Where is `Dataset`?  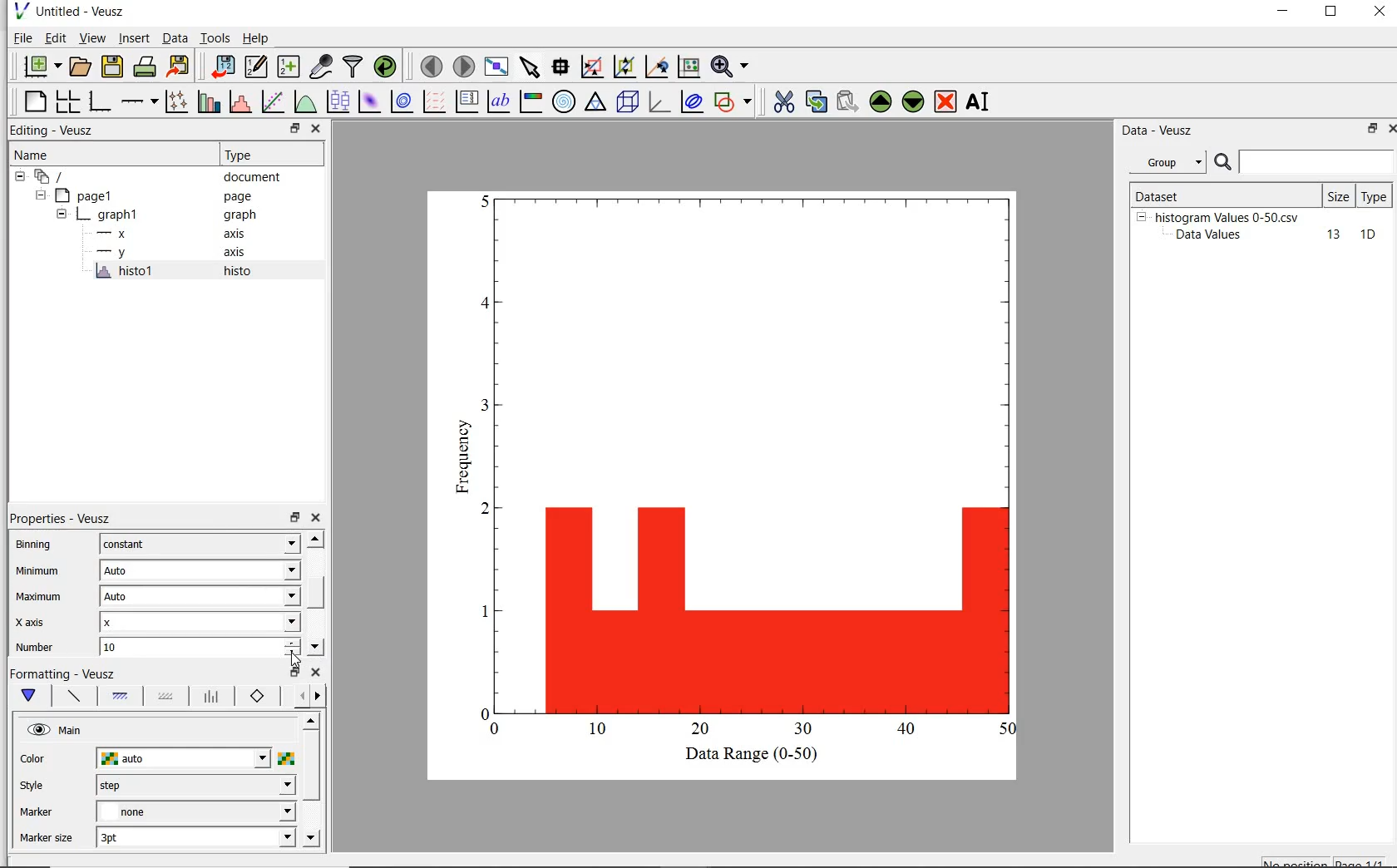
Dataset is located at coordinates (1184, 194).